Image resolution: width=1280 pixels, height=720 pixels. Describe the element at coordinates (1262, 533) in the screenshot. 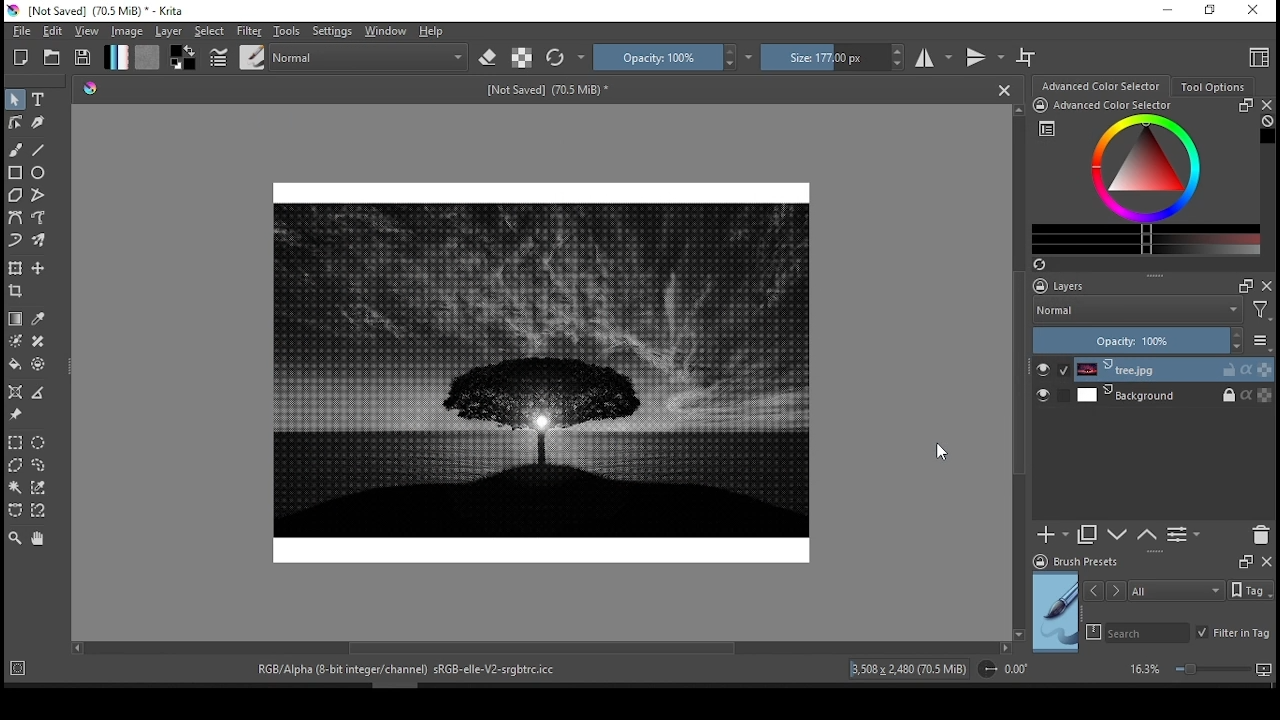

I see `delete layer` at that location.